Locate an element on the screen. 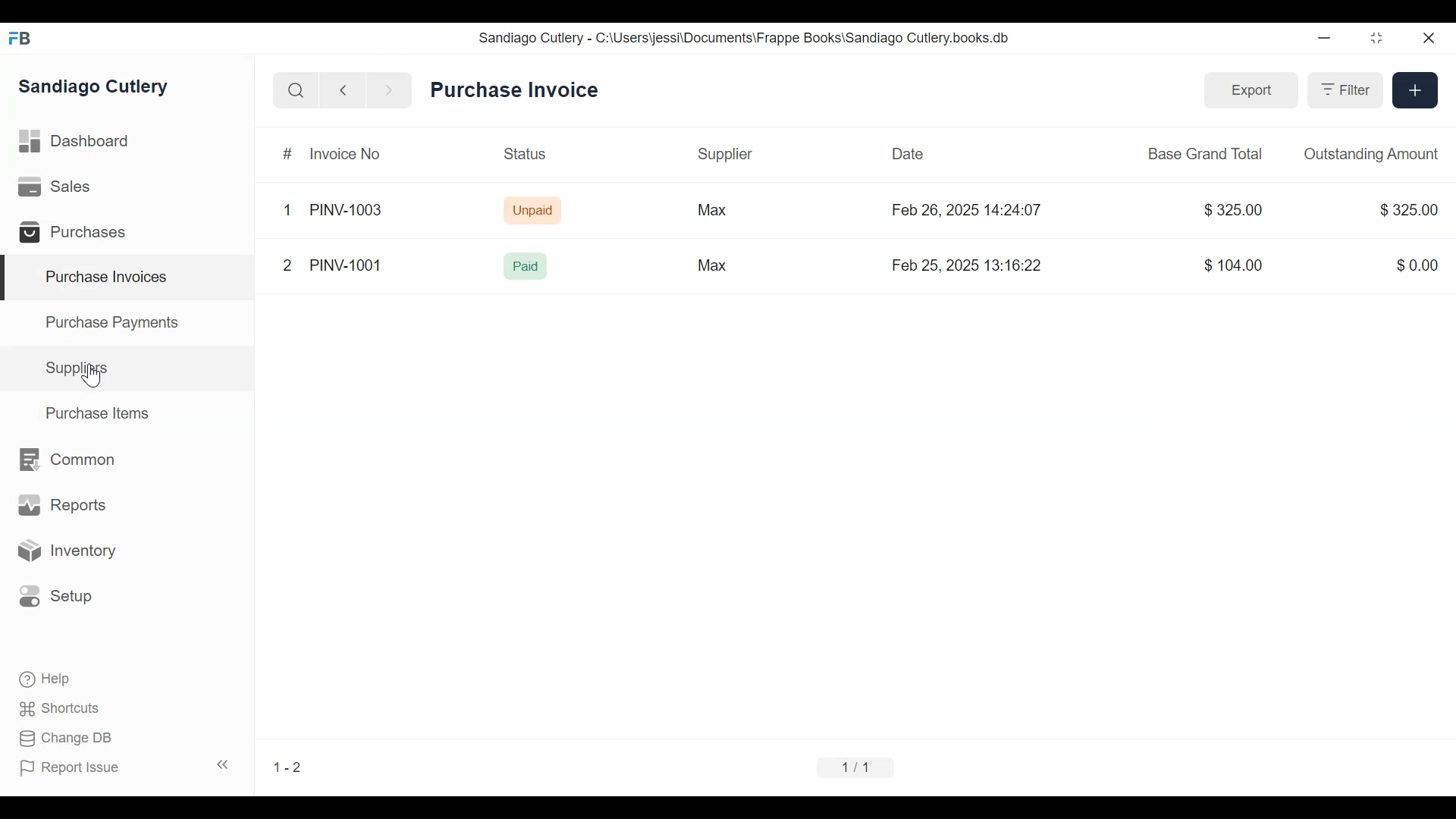 The height and width of the screenshot is (819, 1456). 2 is located at coordinates (288, 261).